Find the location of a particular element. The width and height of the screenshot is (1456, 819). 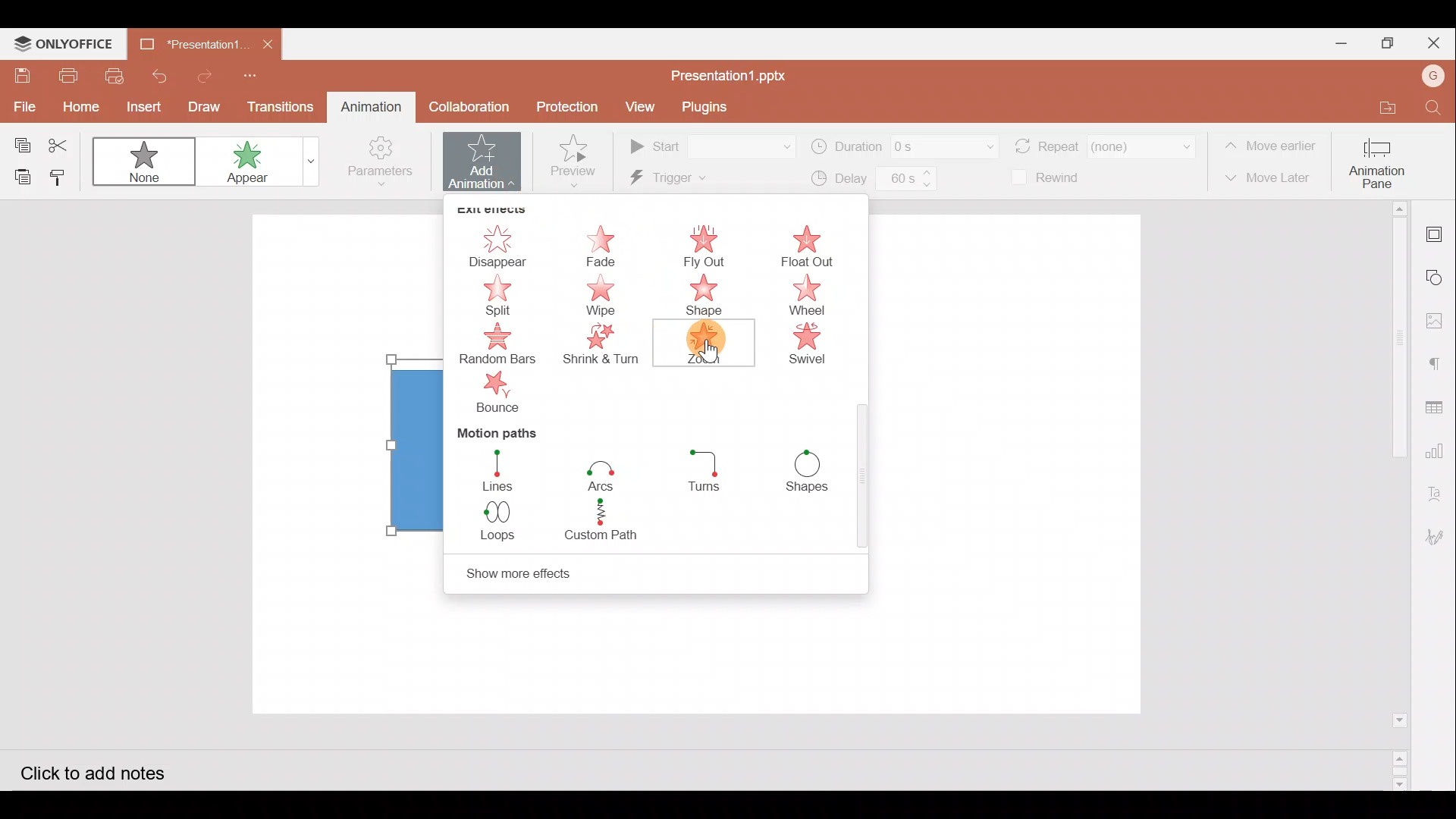

Maximize is located at coordinates (1384, 42).